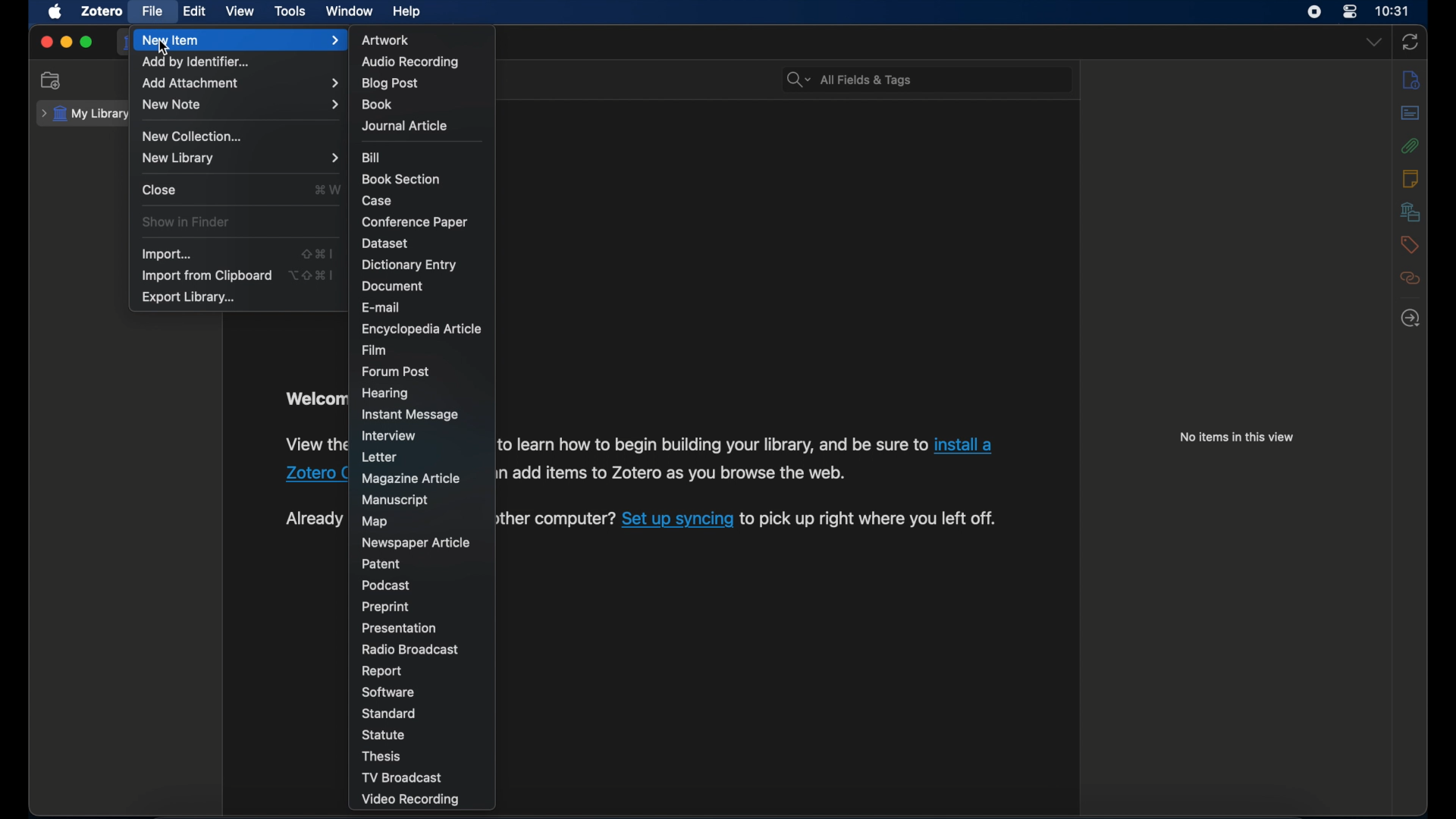  Describe the element at coordinates (241, 104) in the screenshot. I see `new note` at that location.